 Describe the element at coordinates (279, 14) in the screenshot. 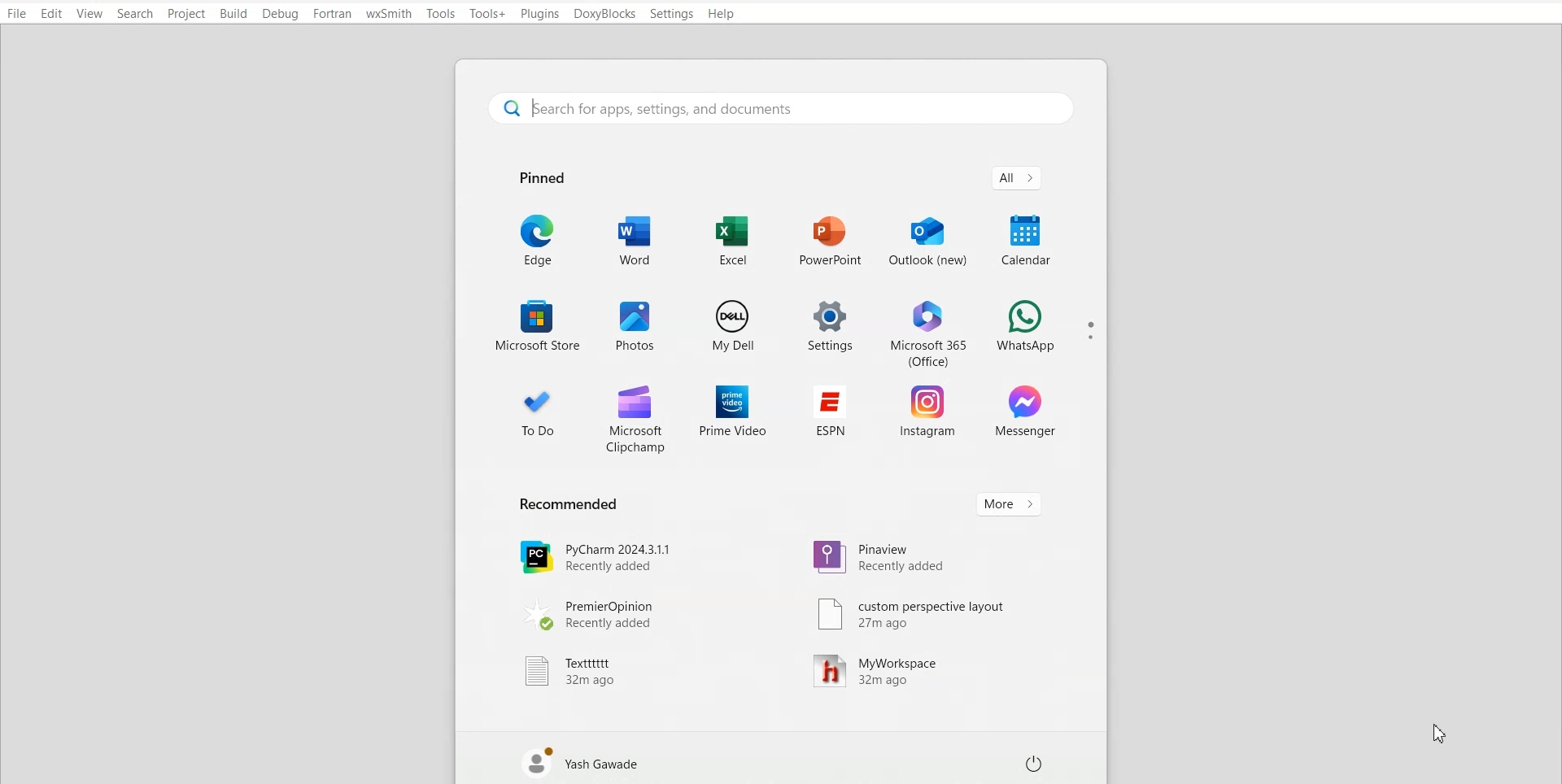

I see `Debug` at that location.